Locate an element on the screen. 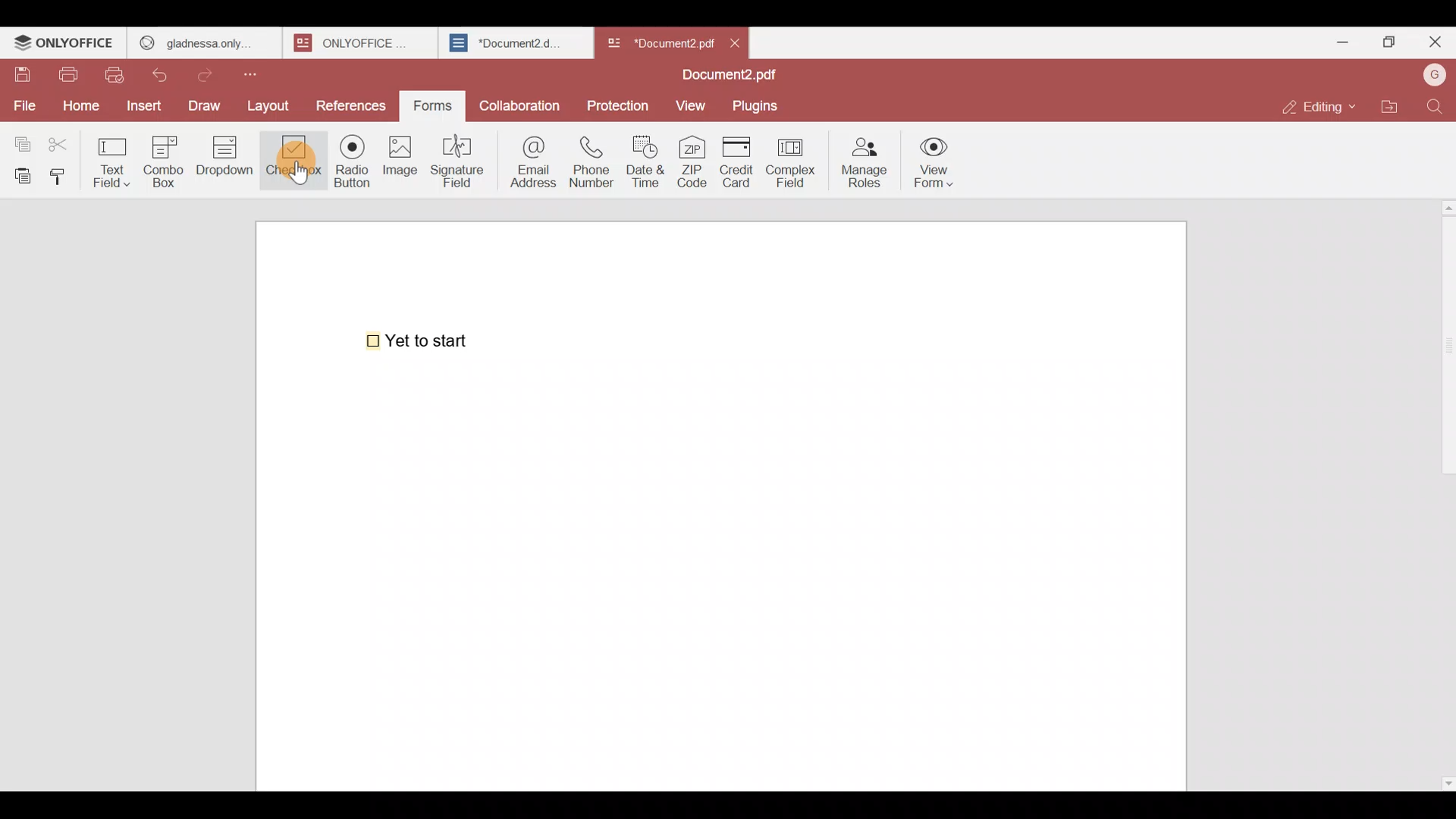 Image resolution: width=1456 pixels, height=819 pixels. Yet to start is located at coordinates (420, 339).